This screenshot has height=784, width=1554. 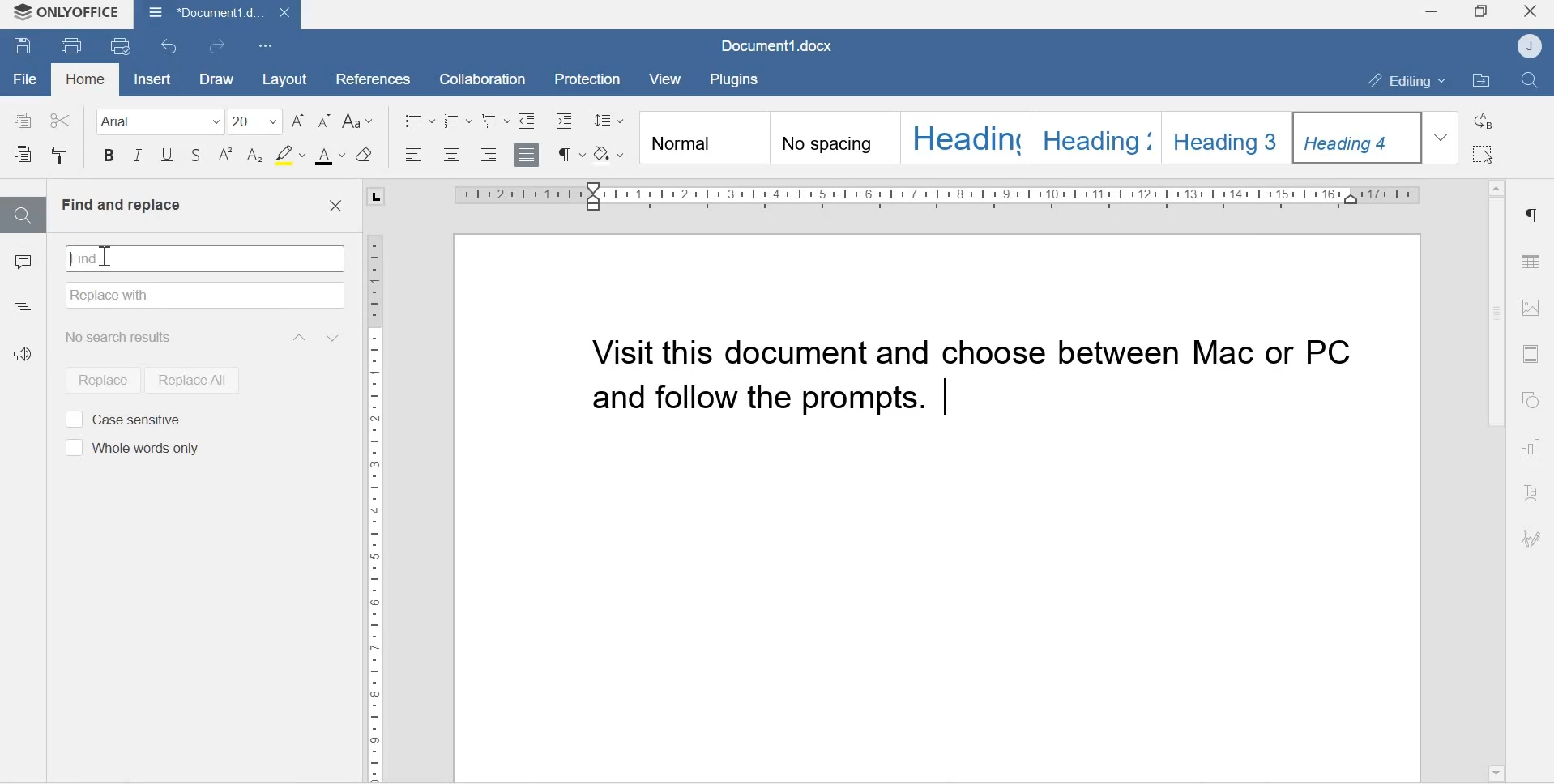 I want to click on Decrement font sizw, so click(x=325, y=121).